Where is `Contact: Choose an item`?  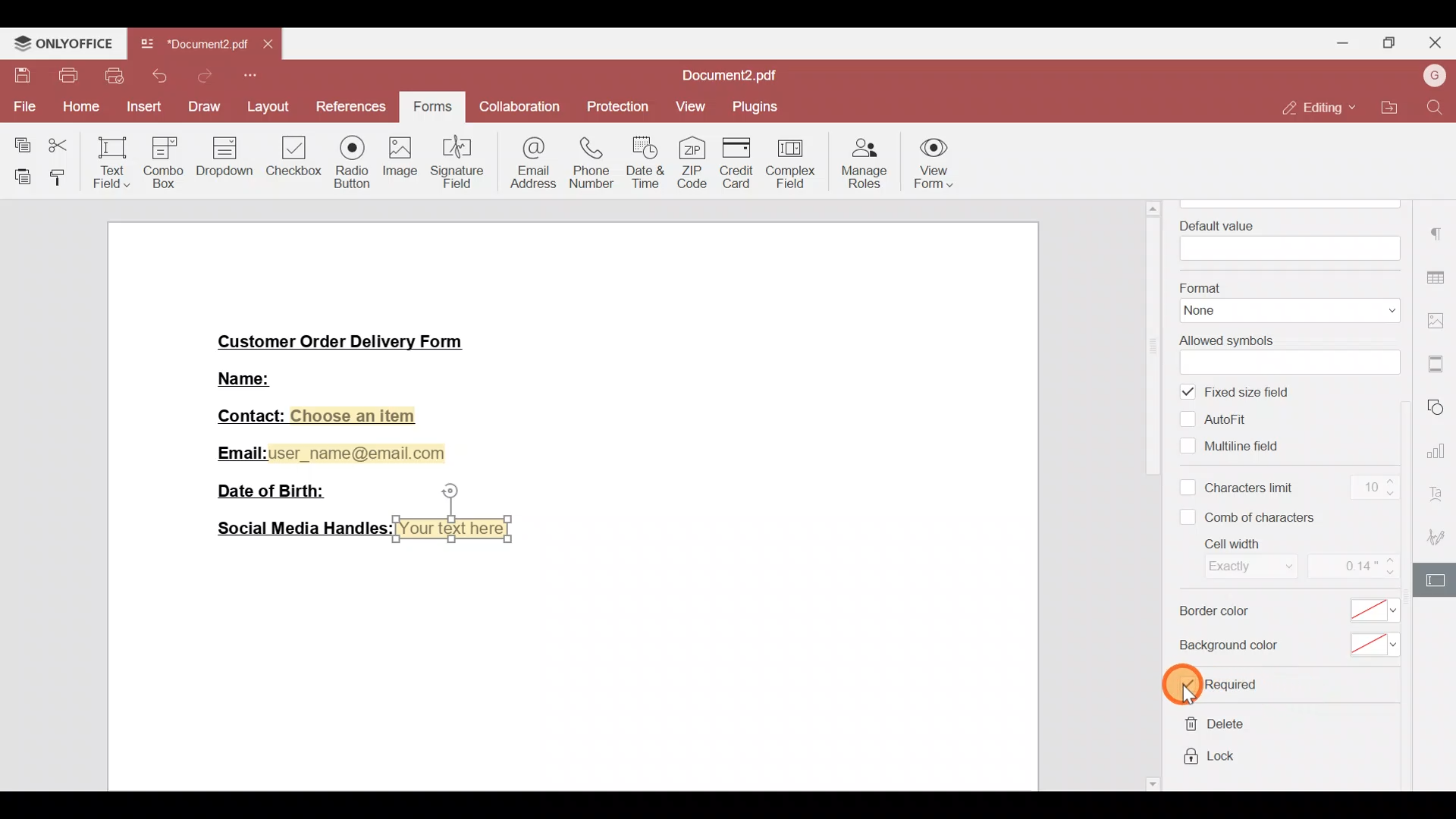
Contact: Choose an item is located at coordinates (315, 416).